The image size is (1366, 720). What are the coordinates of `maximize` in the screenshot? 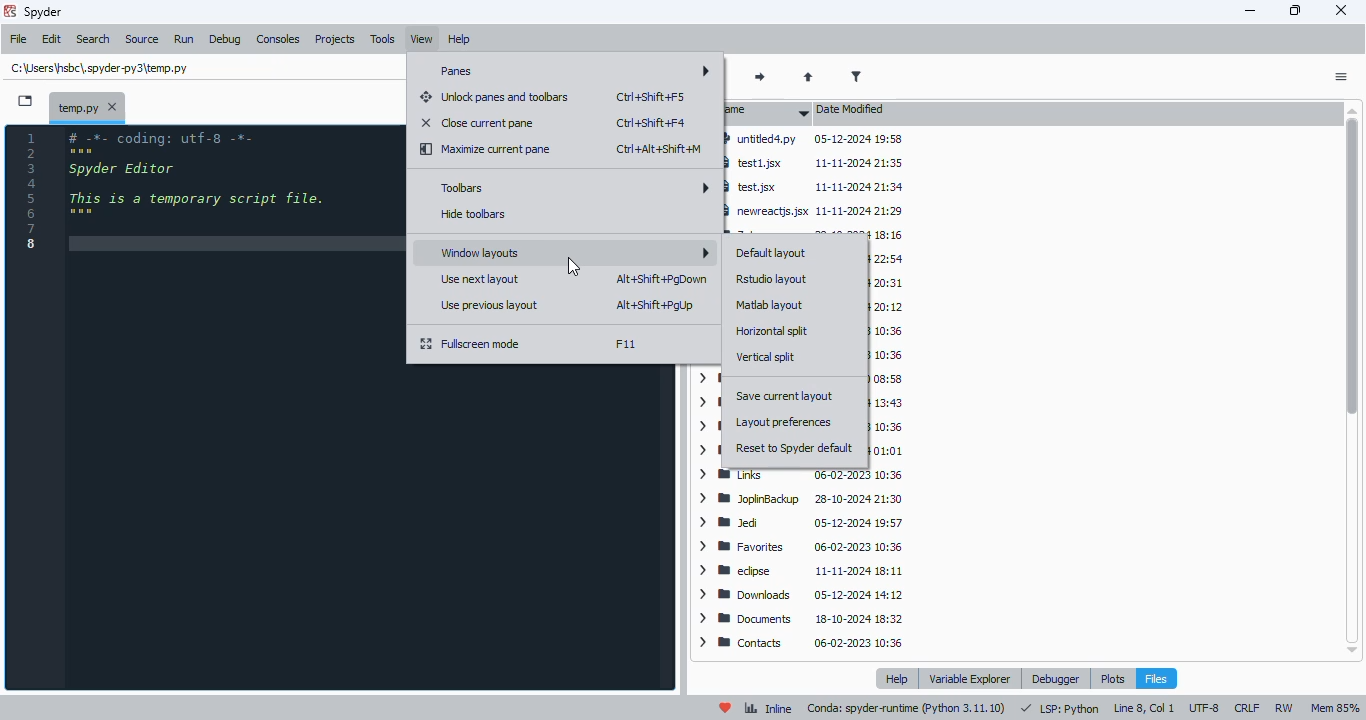 It's located at (1295, 10).